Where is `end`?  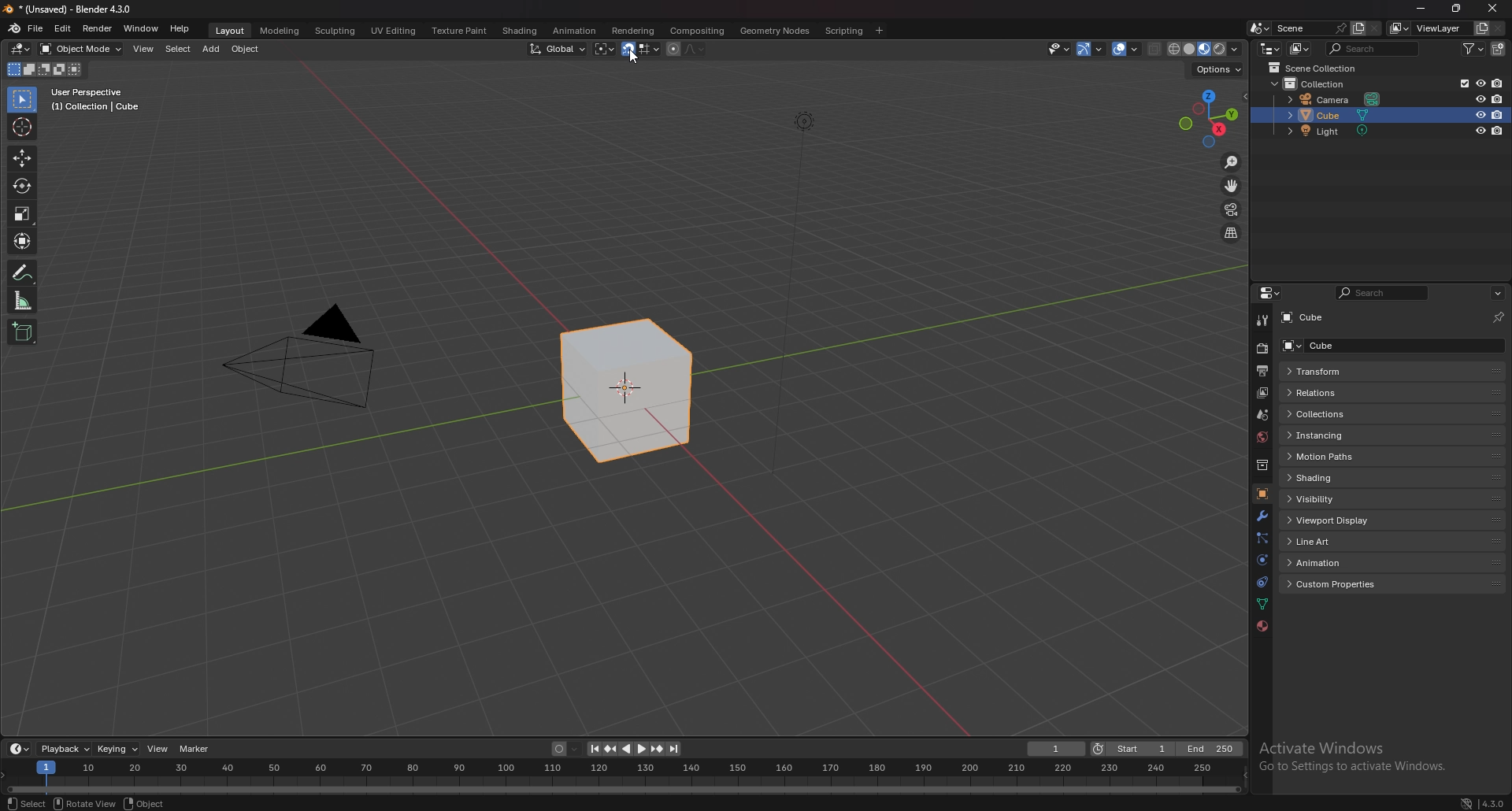
end is located at coordinates (1208, 750).